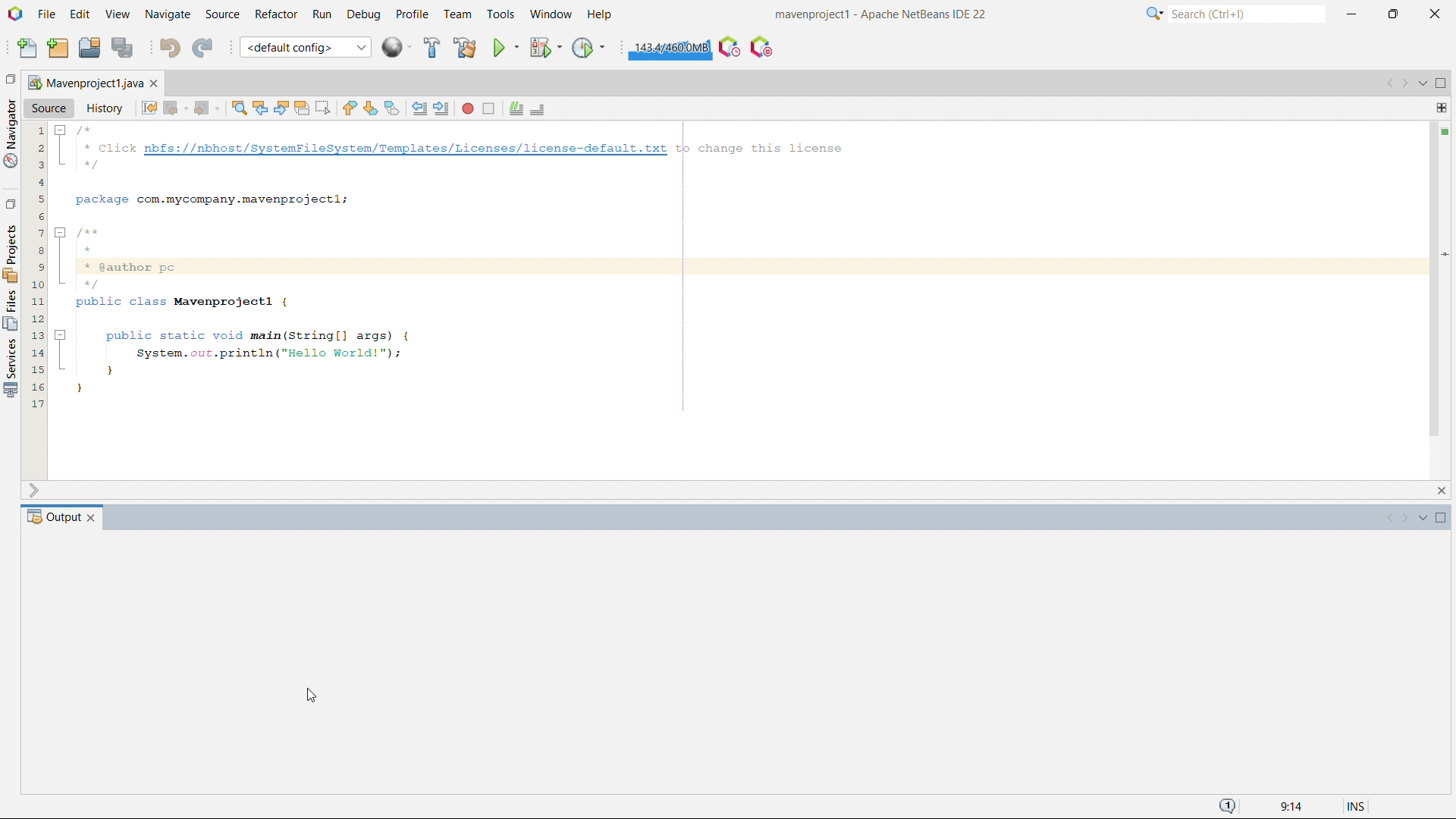  What do you see at coordinates (322, 15) in the screenshot?
I see `run` at bounding box center [322, 15].